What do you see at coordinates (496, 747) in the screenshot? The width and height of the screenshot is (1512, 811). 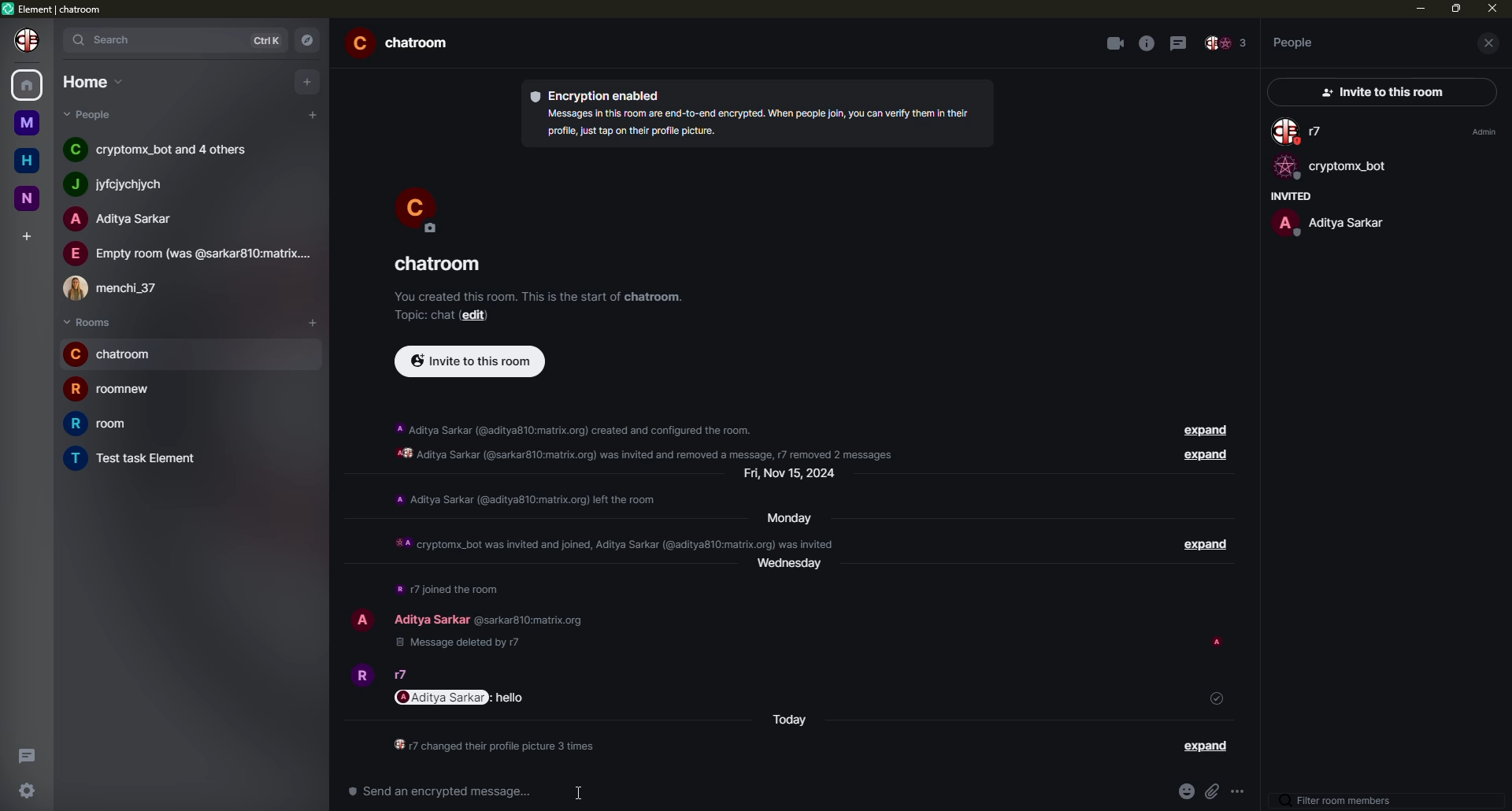 I see `info` at bounding box center [496, 747].